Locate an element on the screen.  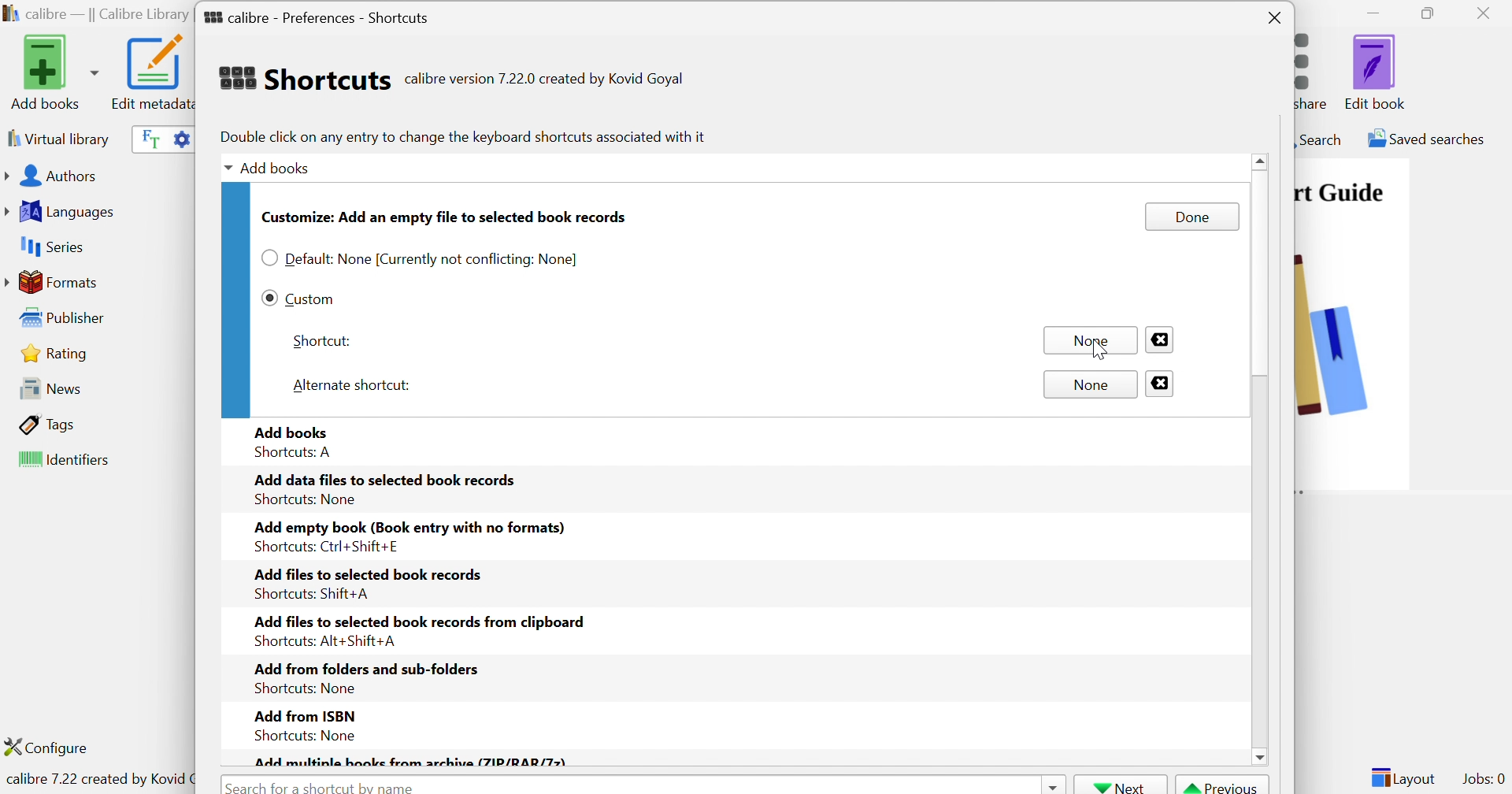
Search the full text of all books in the library, not just their metadata is located at coordinates (147, 138).